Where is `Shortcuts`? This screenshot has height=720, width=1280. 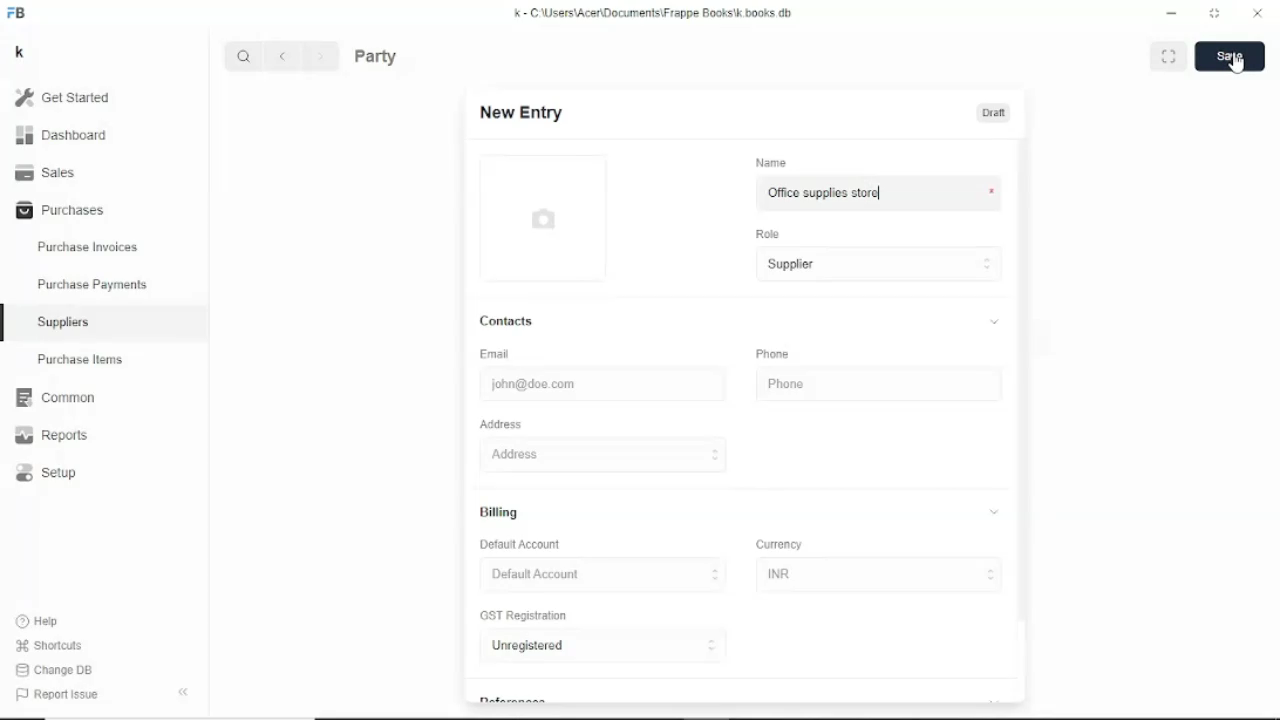
Shortcuts is located at coordinates (48, 646).